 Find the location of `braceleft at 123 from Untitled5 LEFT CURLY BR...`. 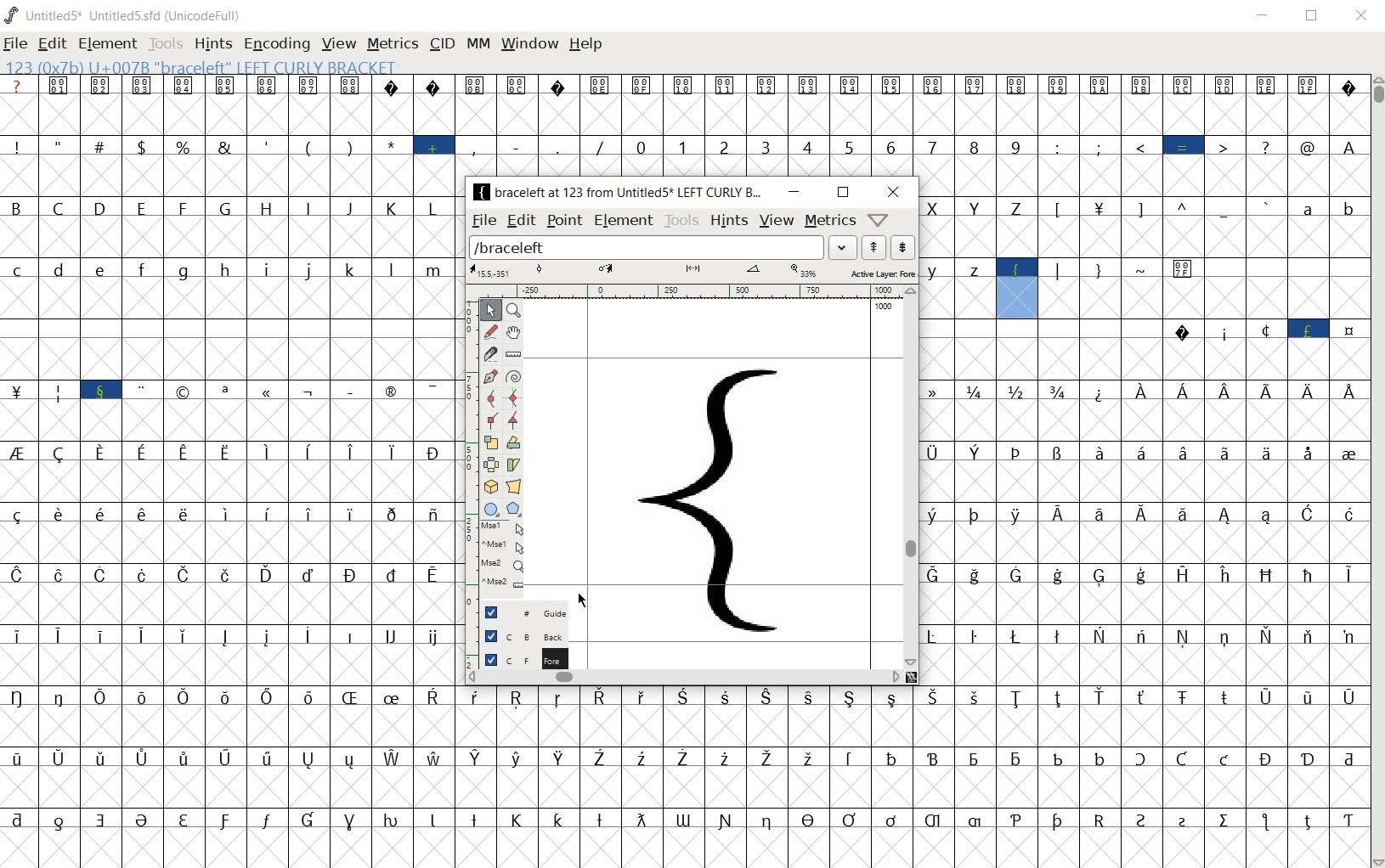

braceleft at 123 from Untitled5 LEFT CURLY BR... is located at coordinates (620, 191).